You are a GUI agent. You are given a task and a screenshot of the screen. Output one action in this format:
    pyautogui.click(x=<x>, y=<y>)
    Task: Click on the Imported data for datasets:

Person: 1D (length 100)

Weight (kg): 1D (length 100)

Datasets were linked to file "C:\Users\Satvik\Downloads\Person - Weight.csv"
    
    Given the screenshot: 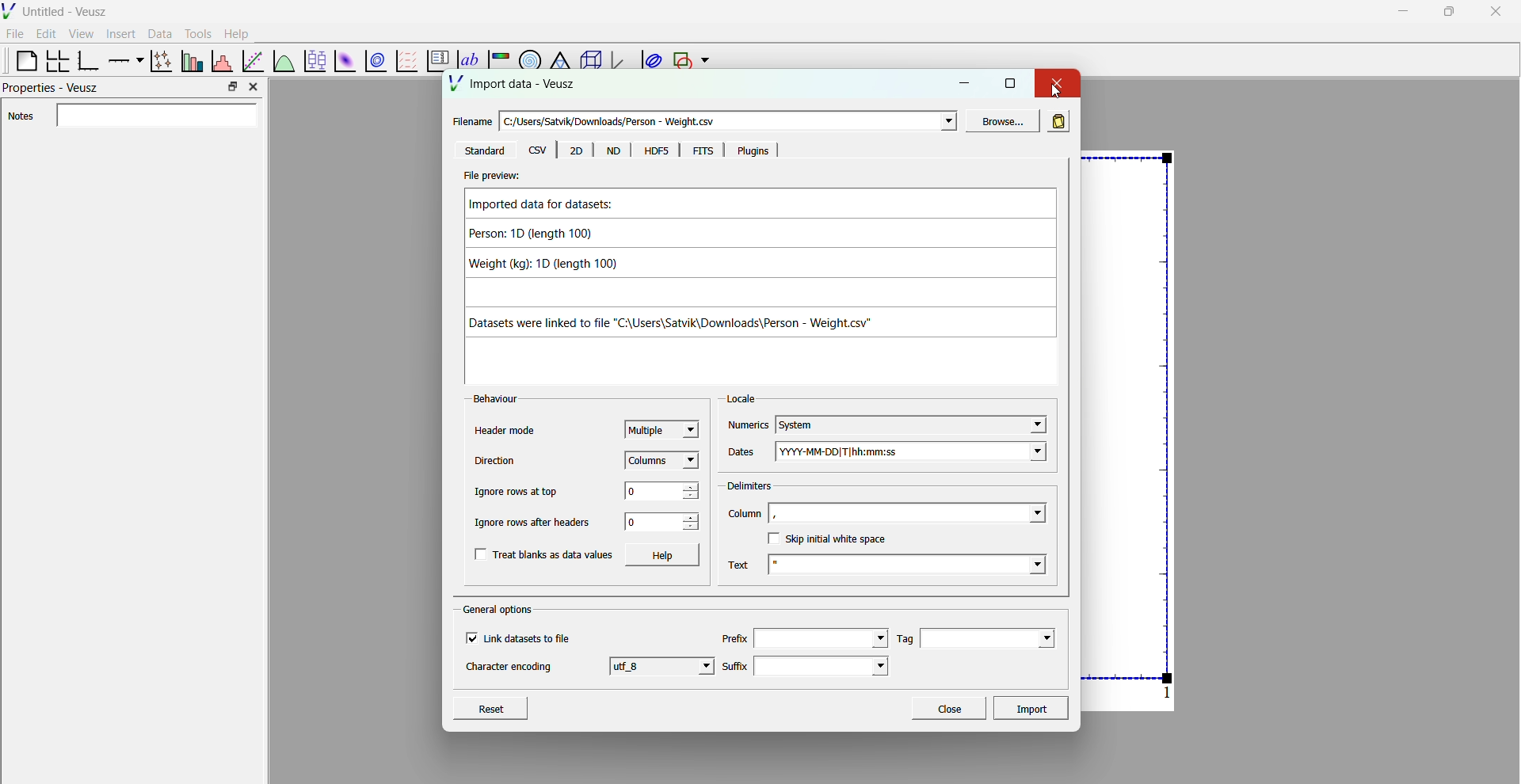 What is the action you would take?
    pyautogui.click(x=741, y=276)
    